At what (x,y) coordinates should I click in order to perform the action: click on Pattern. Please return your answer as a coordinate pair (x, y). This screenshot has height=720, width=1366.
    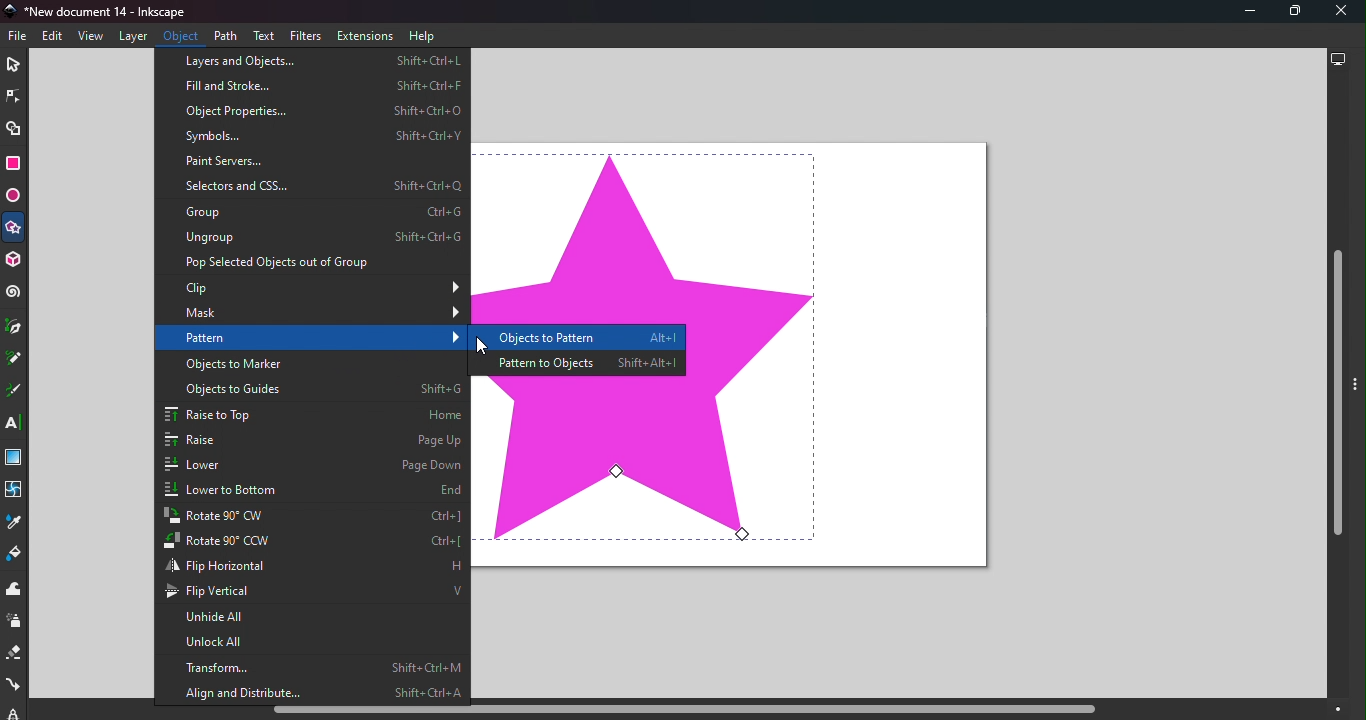
    Looking at the image, I should click on (318, 337).